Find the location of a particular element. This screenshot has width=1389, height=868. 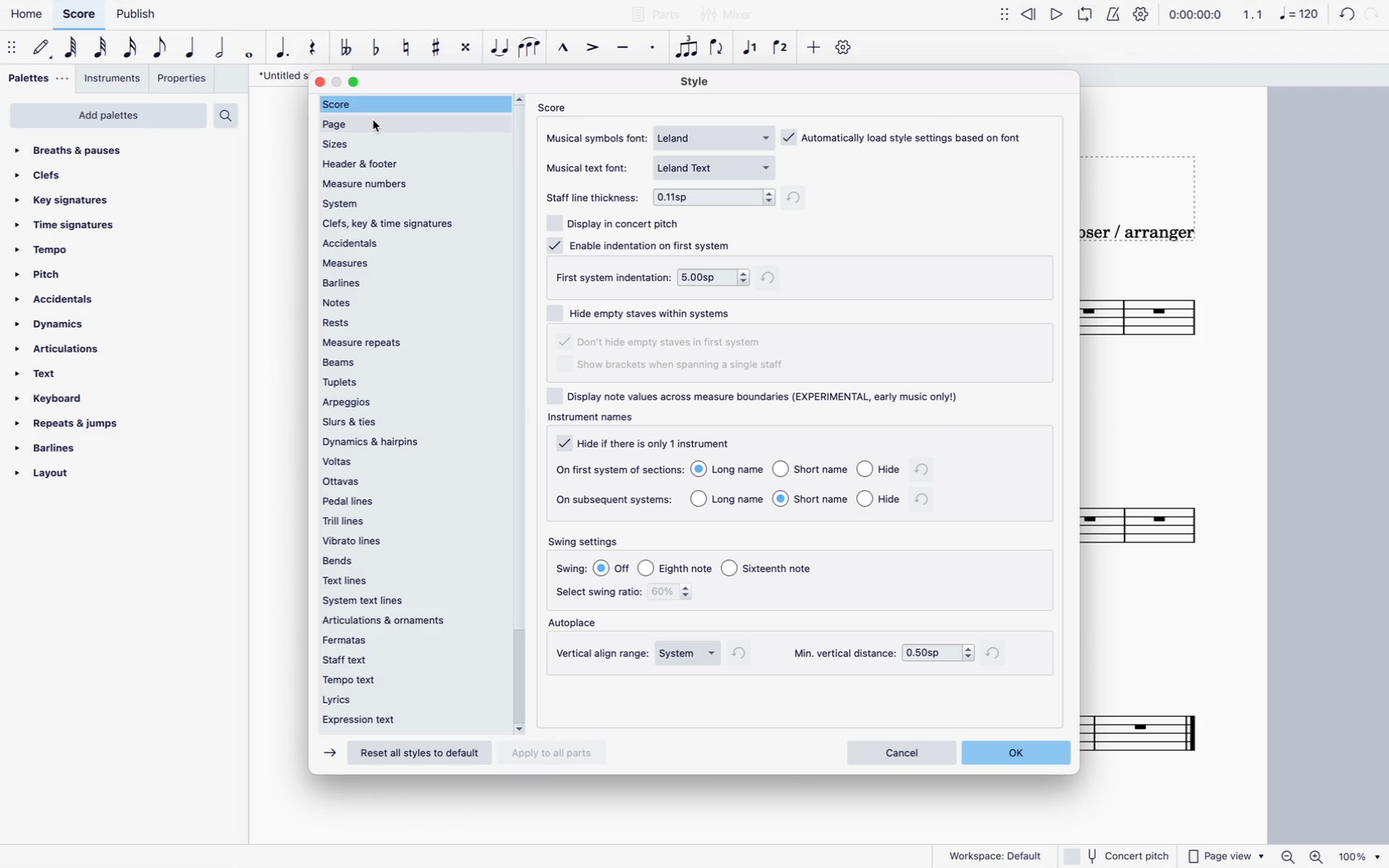

toggle flat is located at coordinates (375, 49).